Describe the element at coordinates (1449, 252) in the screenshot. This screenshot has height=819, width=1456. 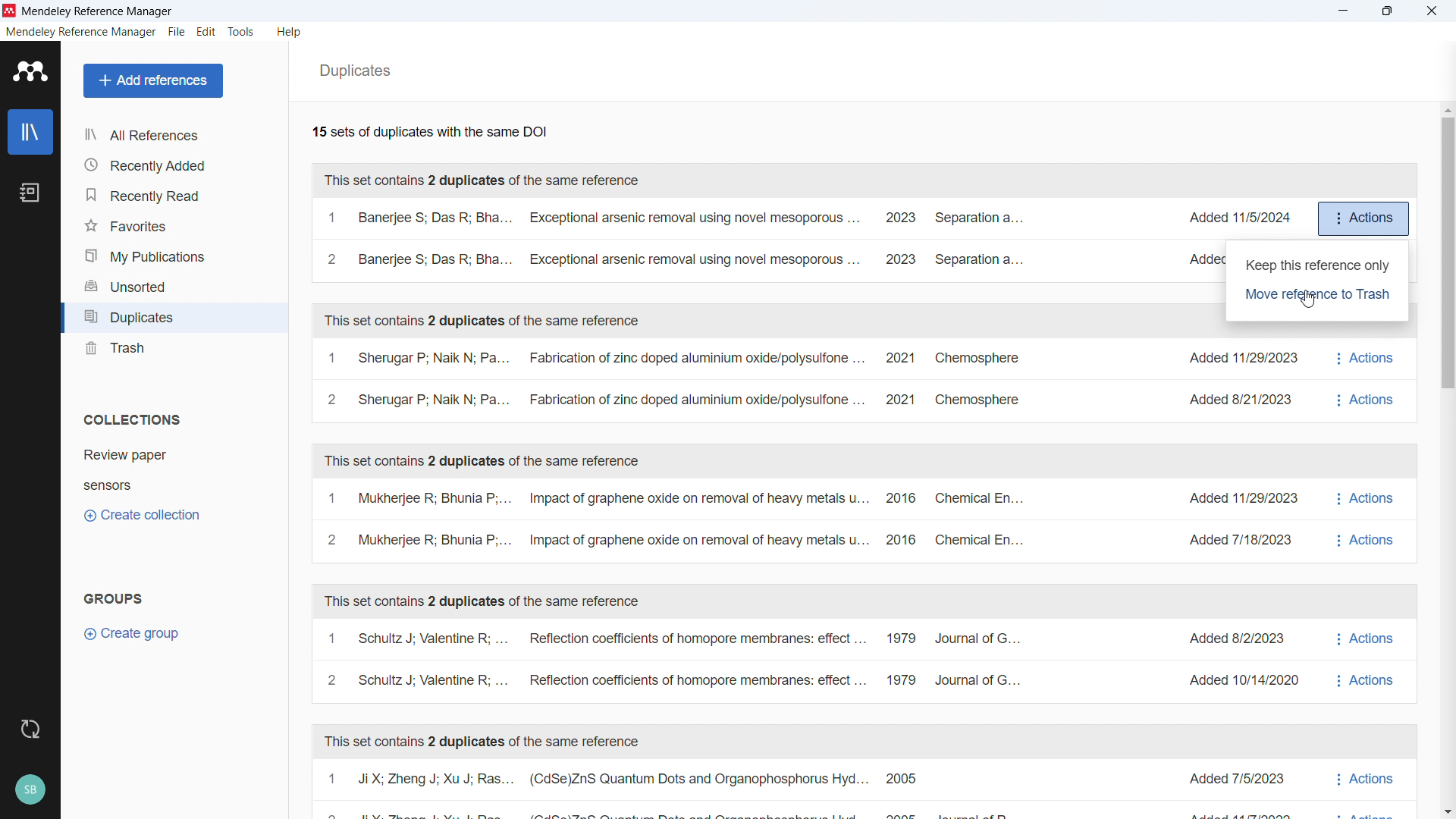
I see `Vertical scroll bar` at that location.